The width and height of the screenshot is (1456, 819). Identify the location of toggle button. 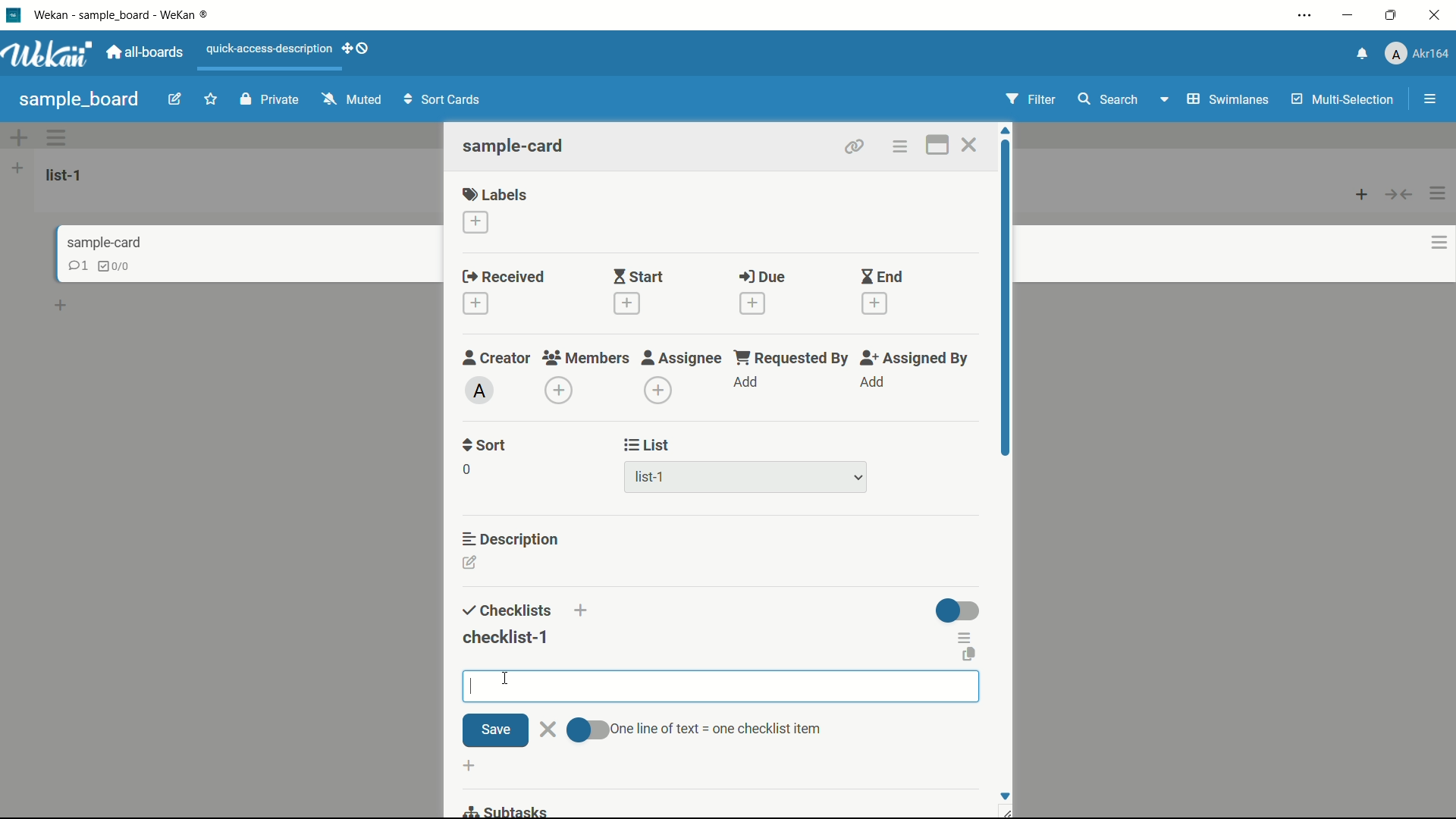
(957, 612).